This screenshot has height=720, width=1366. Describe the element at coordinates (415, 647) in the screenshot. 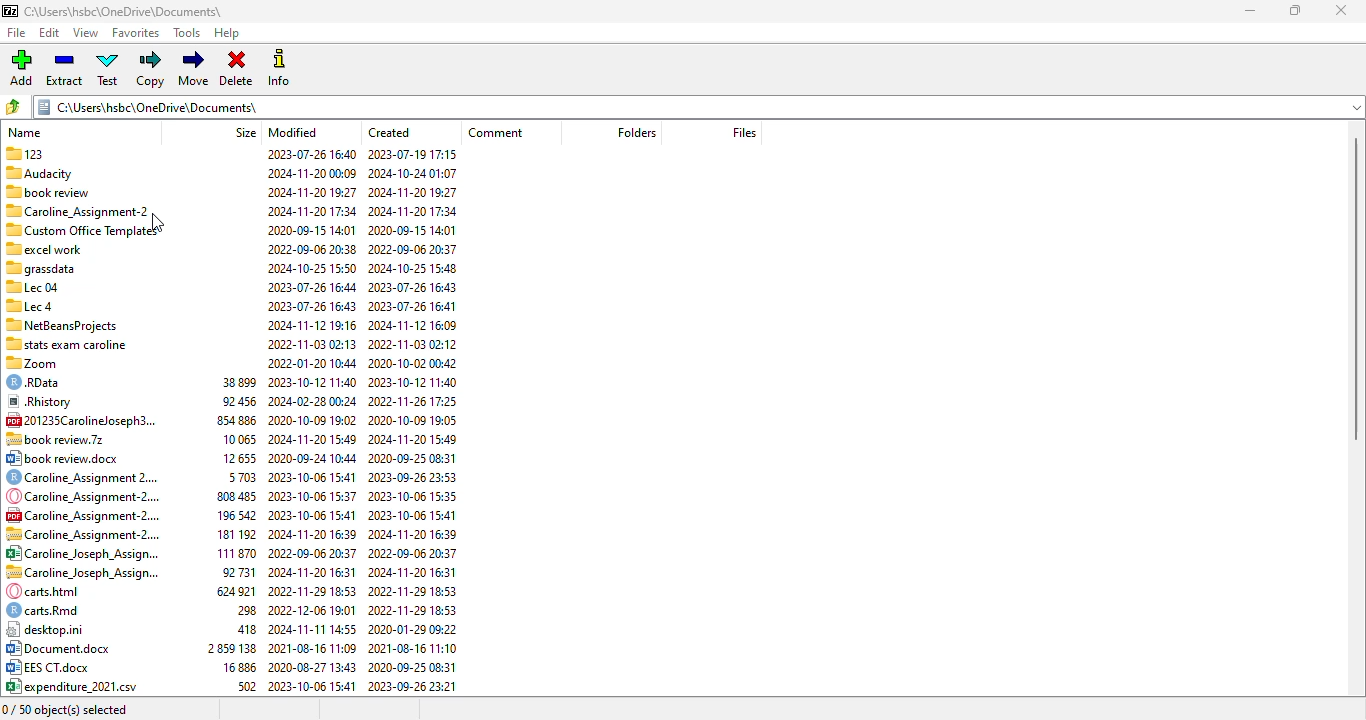

I see `2021-08-16 11:10` at that location.